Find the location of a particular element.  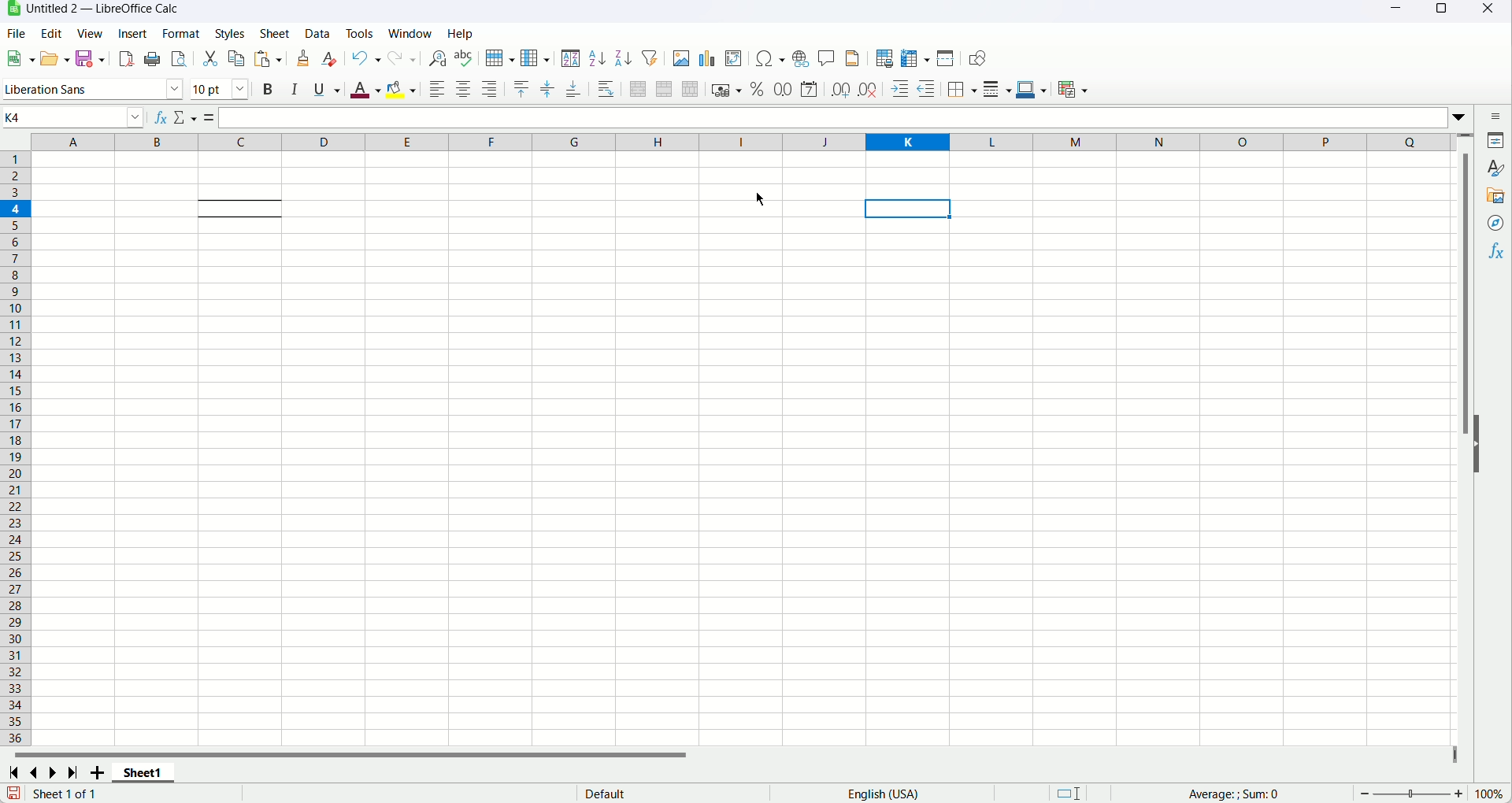

Vertical scroll bar is located at coordinates (1467, 442).